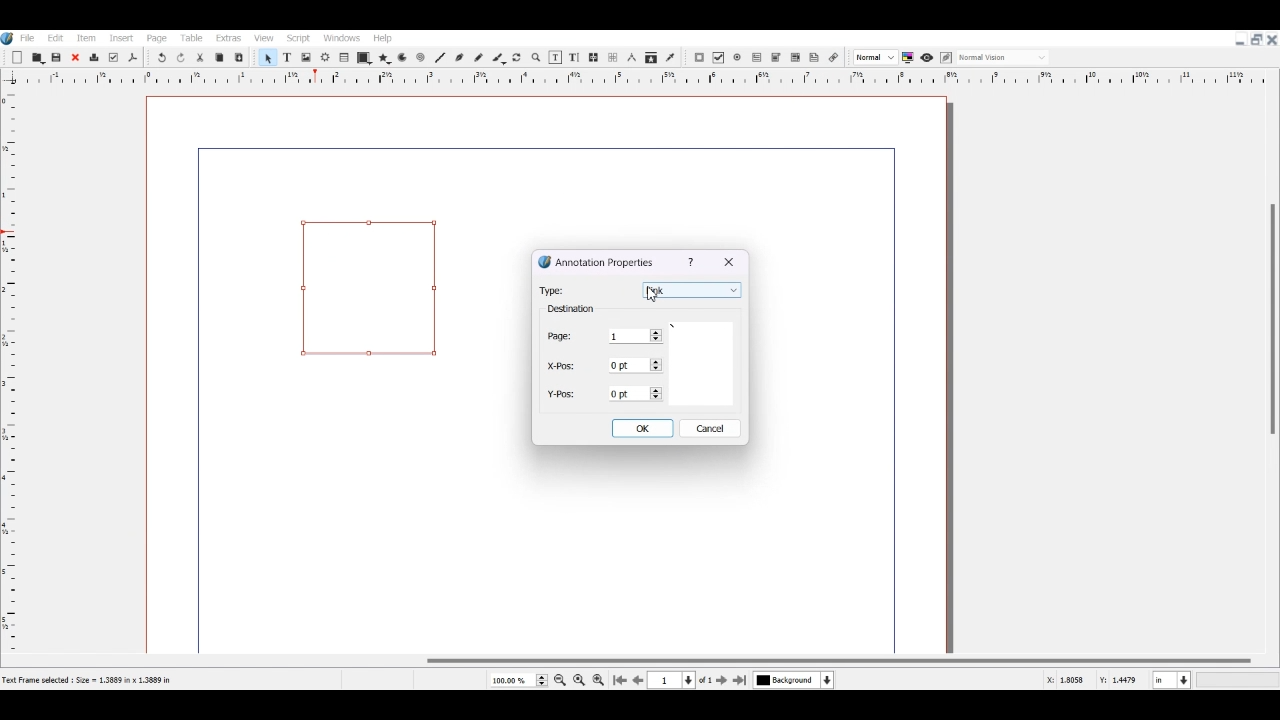  Describe the element at coordinates (606, 335) in the screenshot. I see `Page Selector` at that location.